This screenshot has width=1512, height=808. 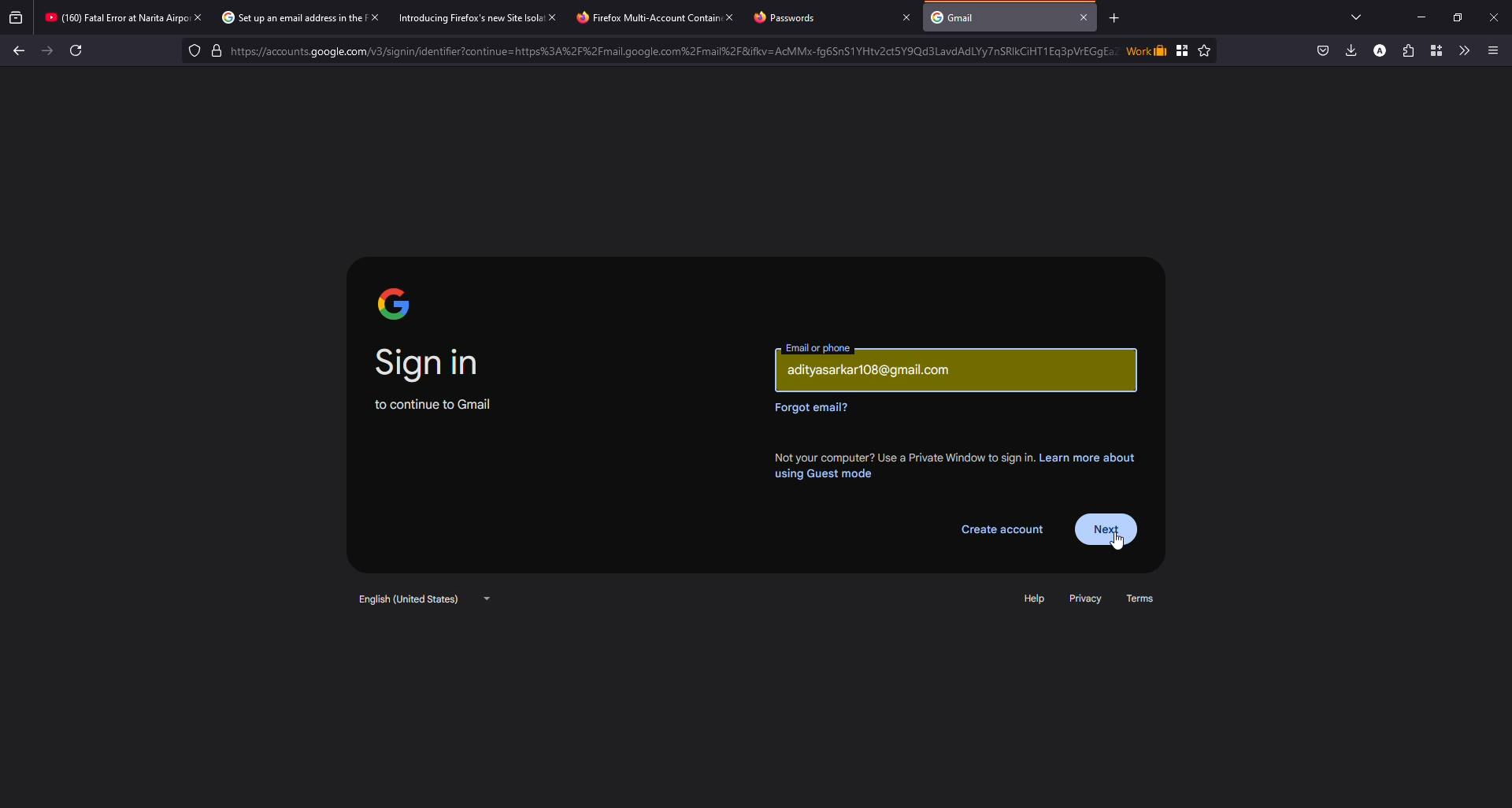 I want to click on help, so click(x=1036, y=599).